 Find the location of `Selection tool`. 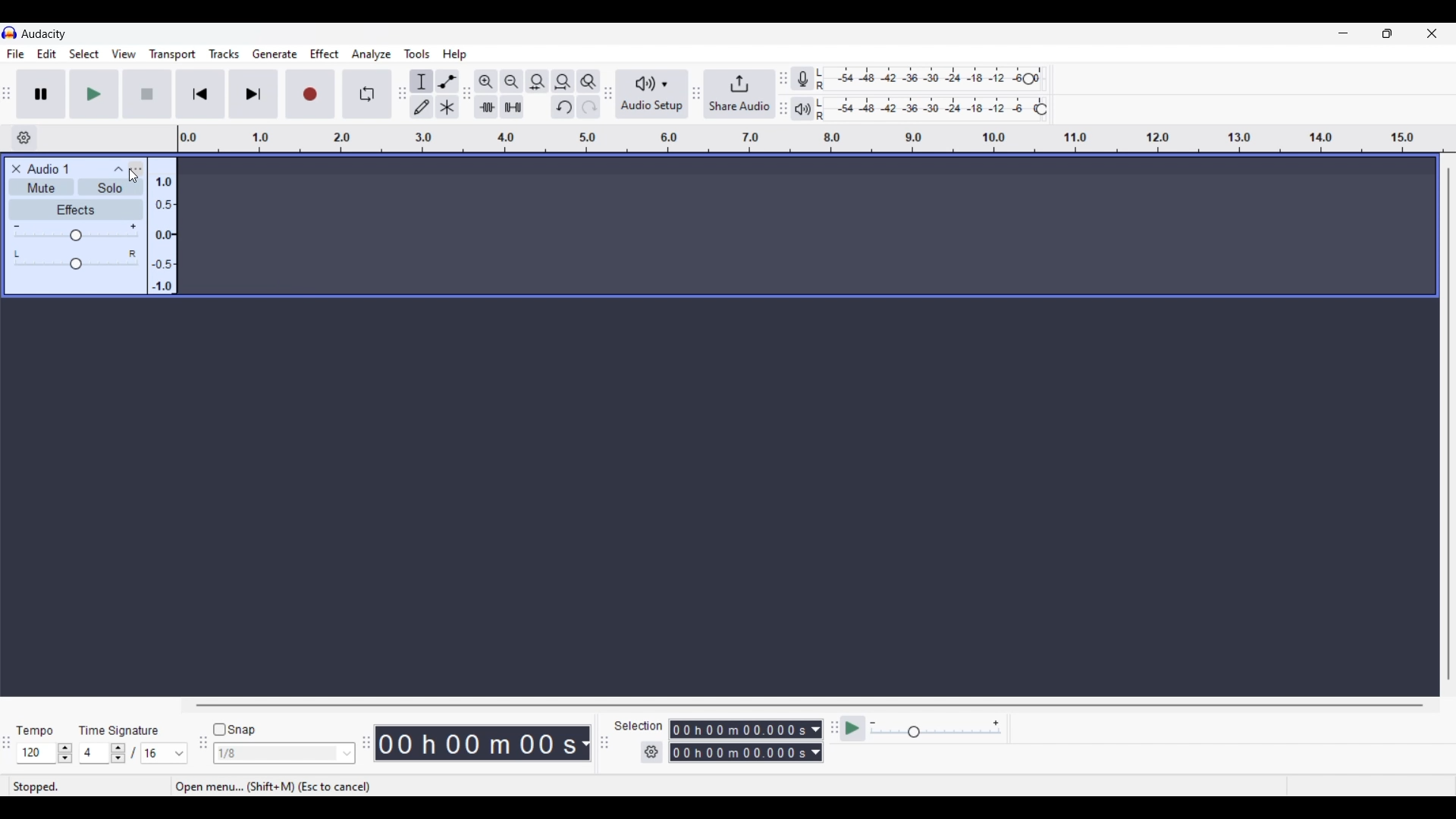

Selection tool is located at coordinates (422, 81).